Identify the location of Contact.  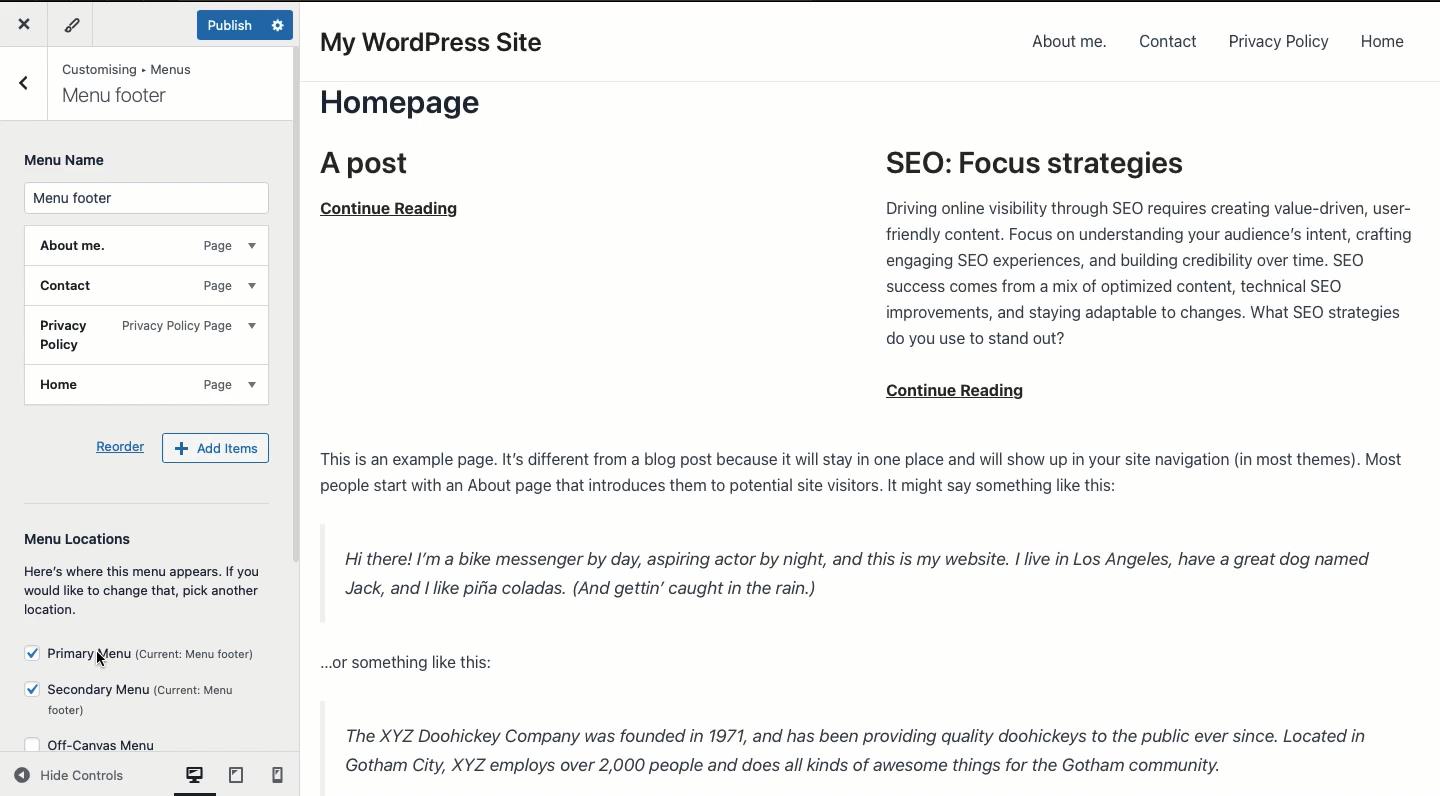
(1166, 43).